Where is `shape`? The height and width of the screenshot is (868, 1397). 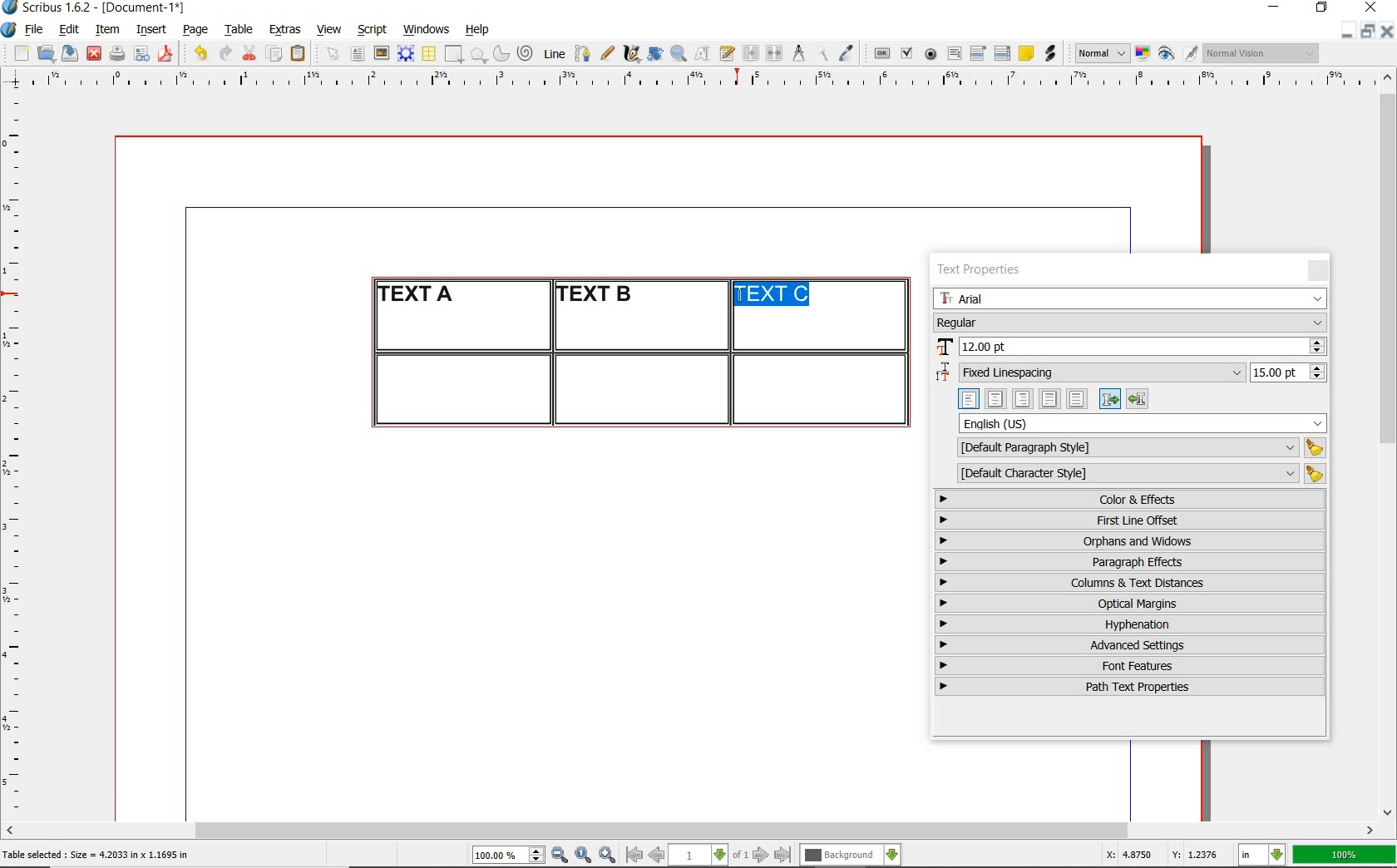
shape is located at coordinates (456, 55).